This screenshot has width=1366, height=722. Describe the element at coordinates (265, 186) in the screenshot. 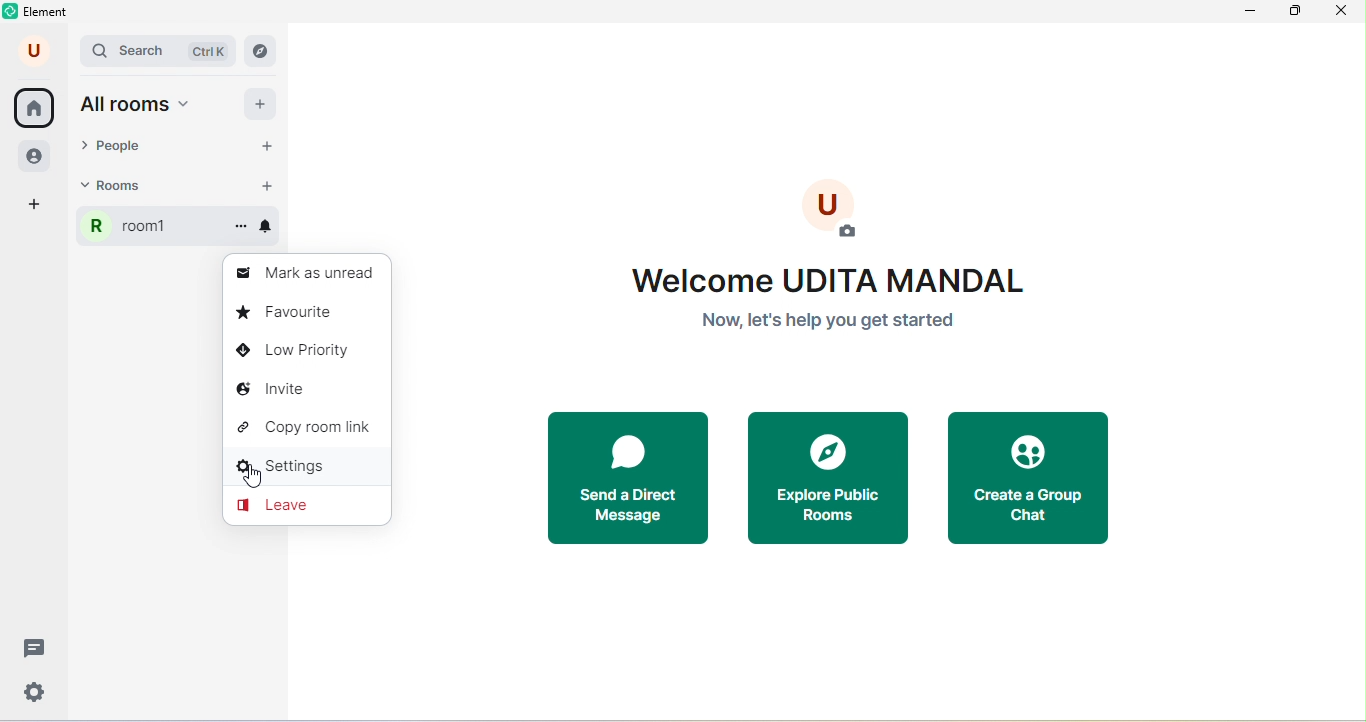

I see `add room` at that location.